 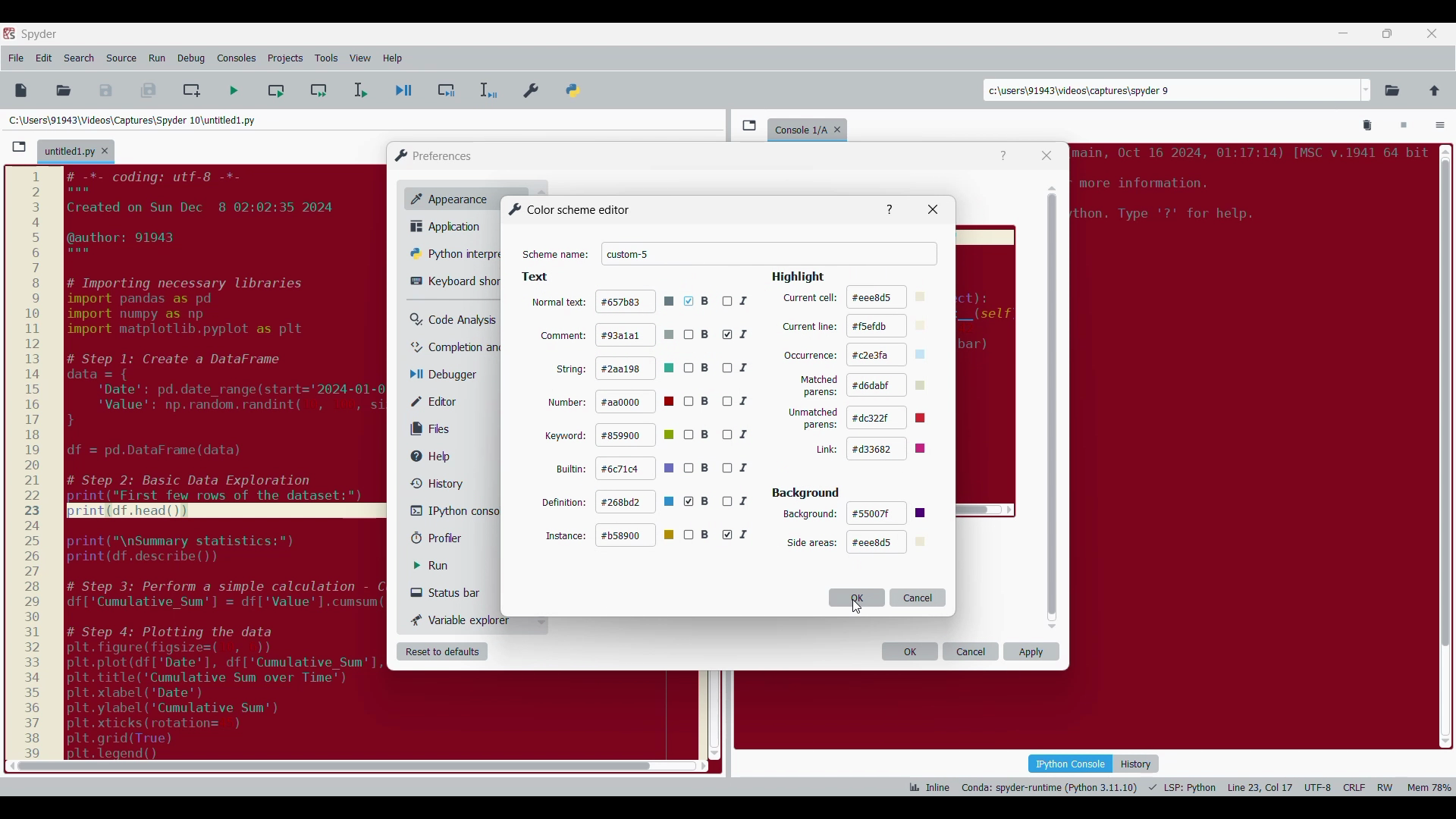 I want to click on code, so click(x=227, y=461).